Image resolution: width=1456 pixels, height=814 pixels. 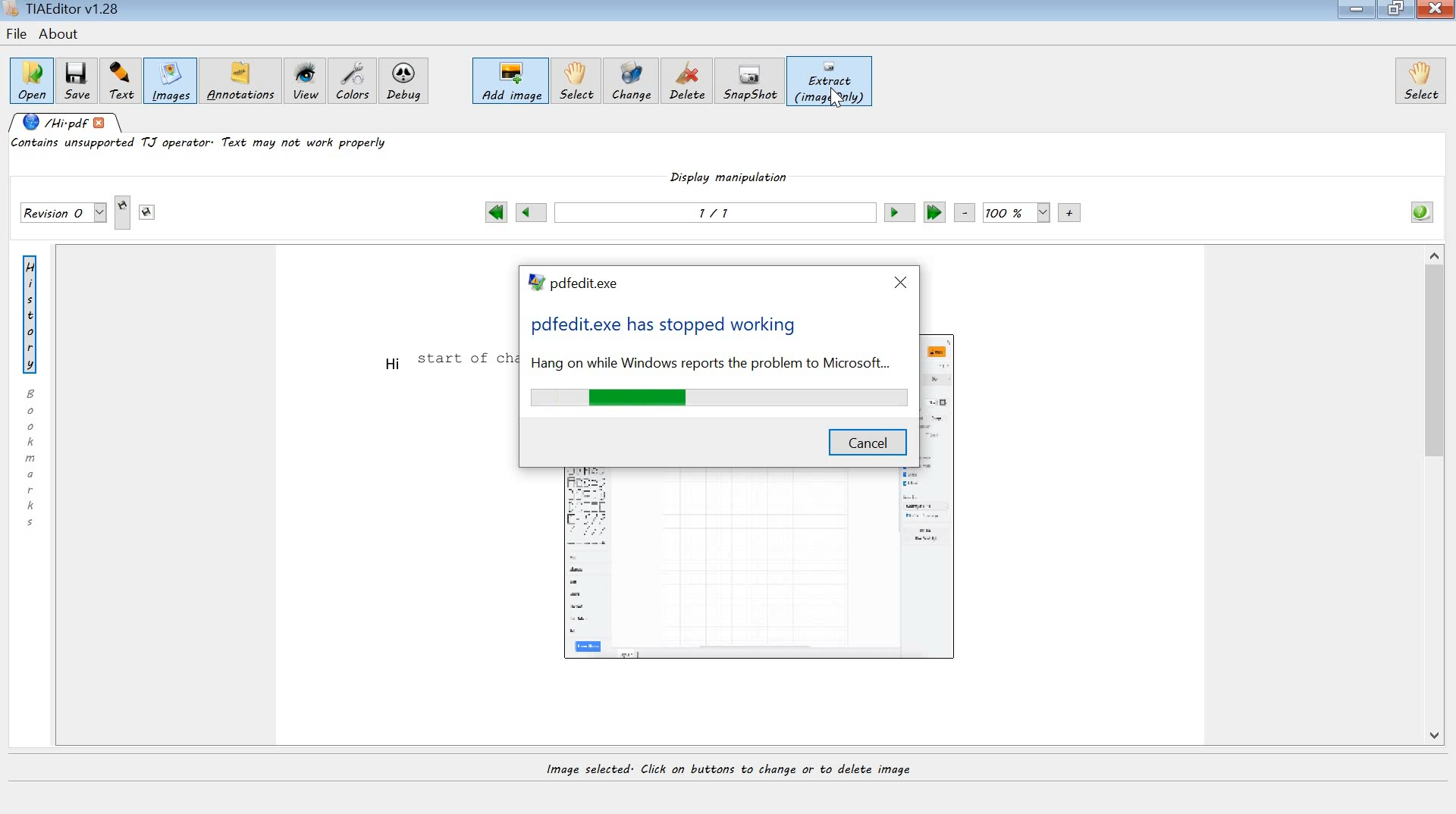 I want to click on snapshot, so click(x=752, y=81).